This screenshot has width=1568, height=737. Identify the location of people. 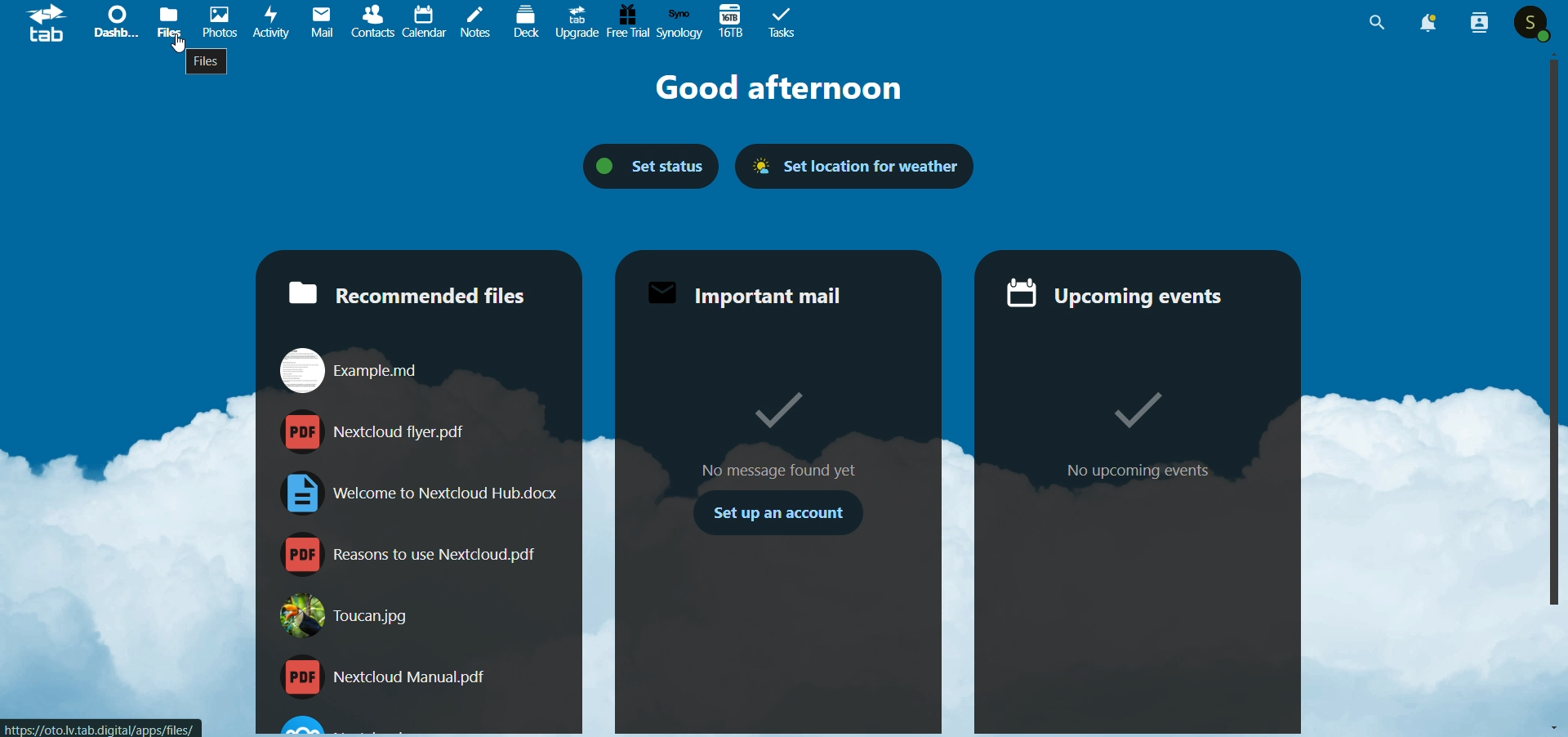
(1481, 21).